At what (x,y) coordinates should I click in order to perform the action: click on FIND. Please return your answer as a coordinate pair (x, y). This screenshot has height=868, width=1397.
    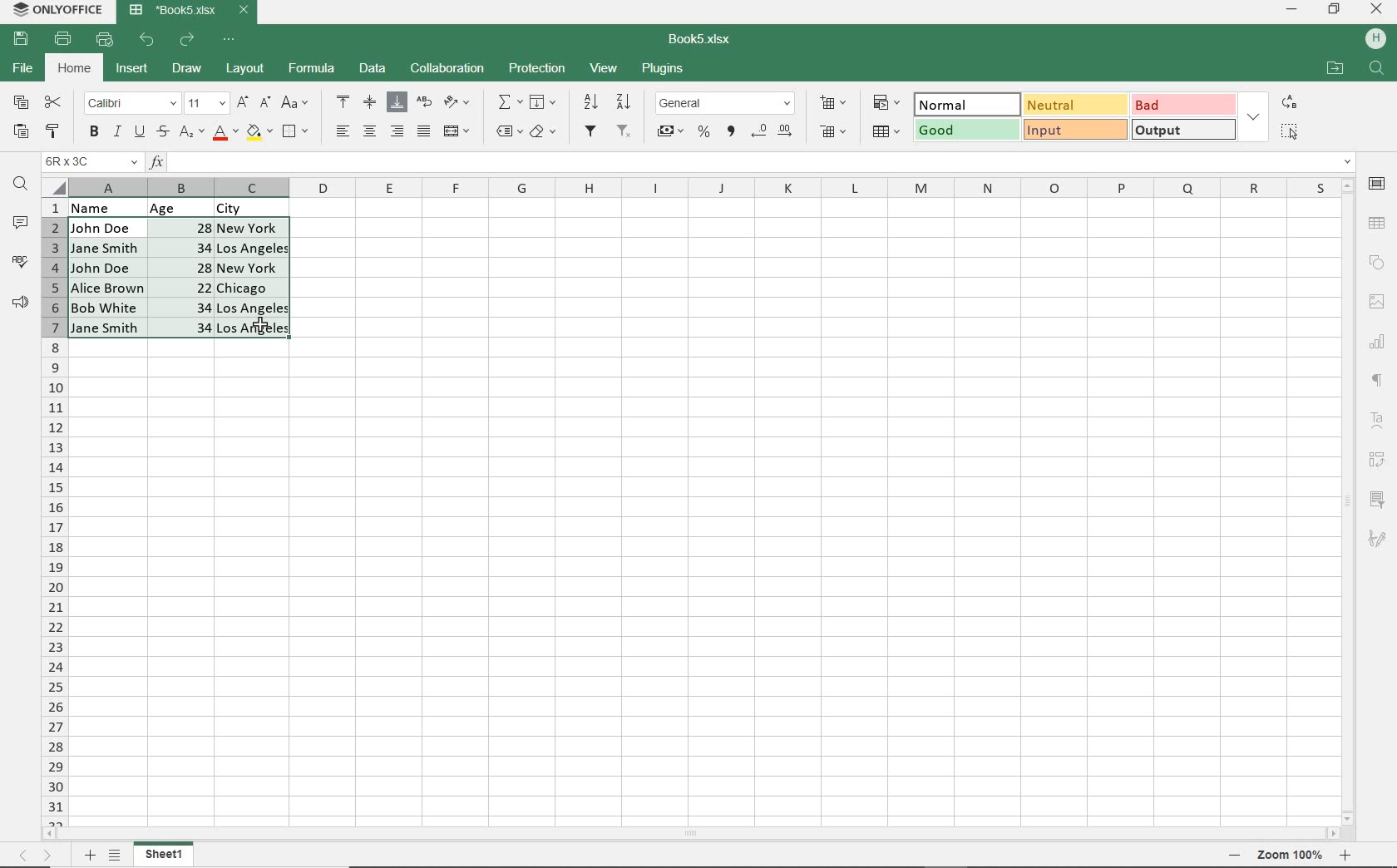
    Looking at the image, I should click on (21, 185).